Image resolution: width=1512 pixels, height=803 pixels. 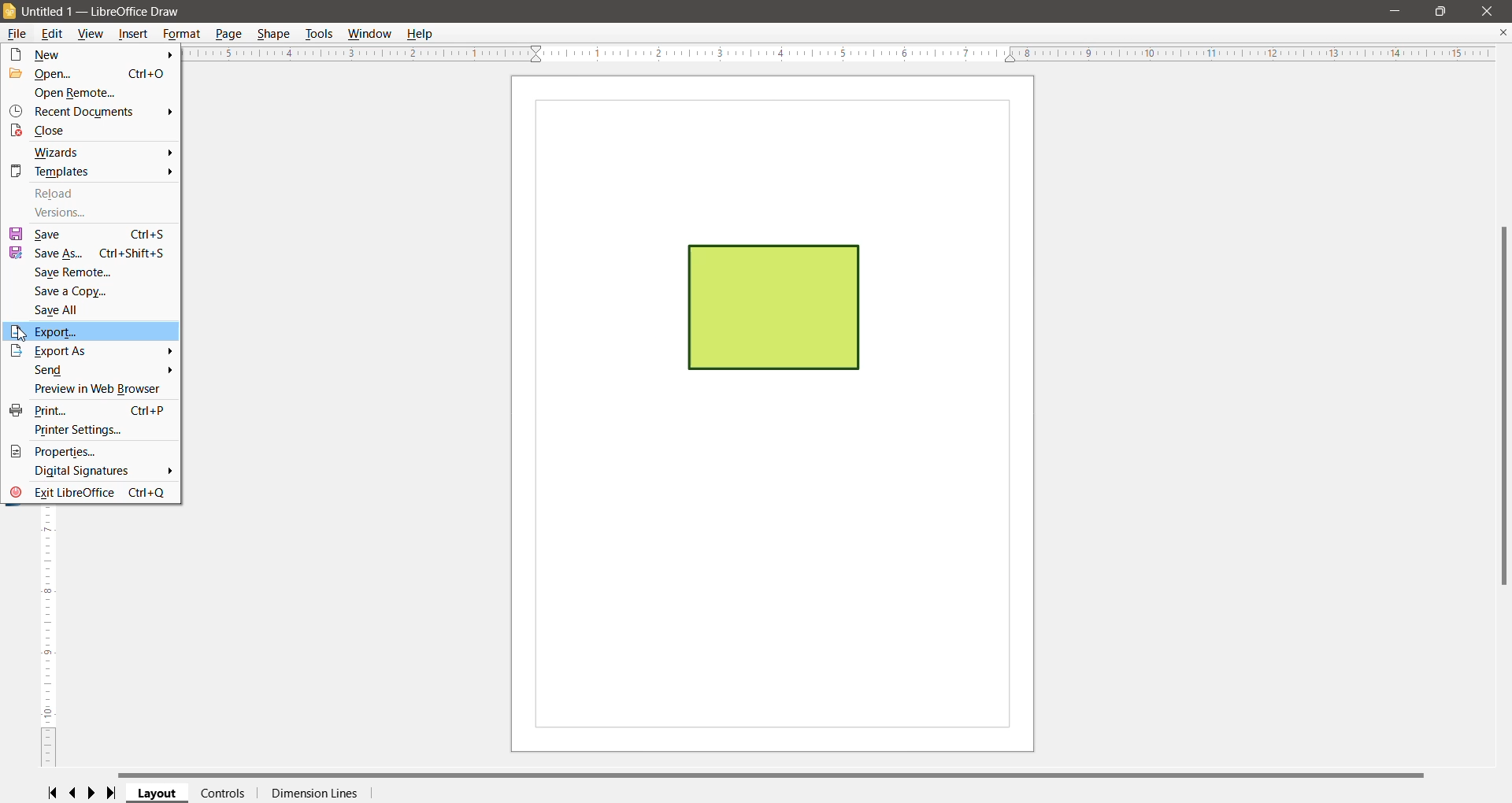 What do you see at coordinates (169, 55) in the screenshot?
I see `More options` at bounding box center [169, 55].